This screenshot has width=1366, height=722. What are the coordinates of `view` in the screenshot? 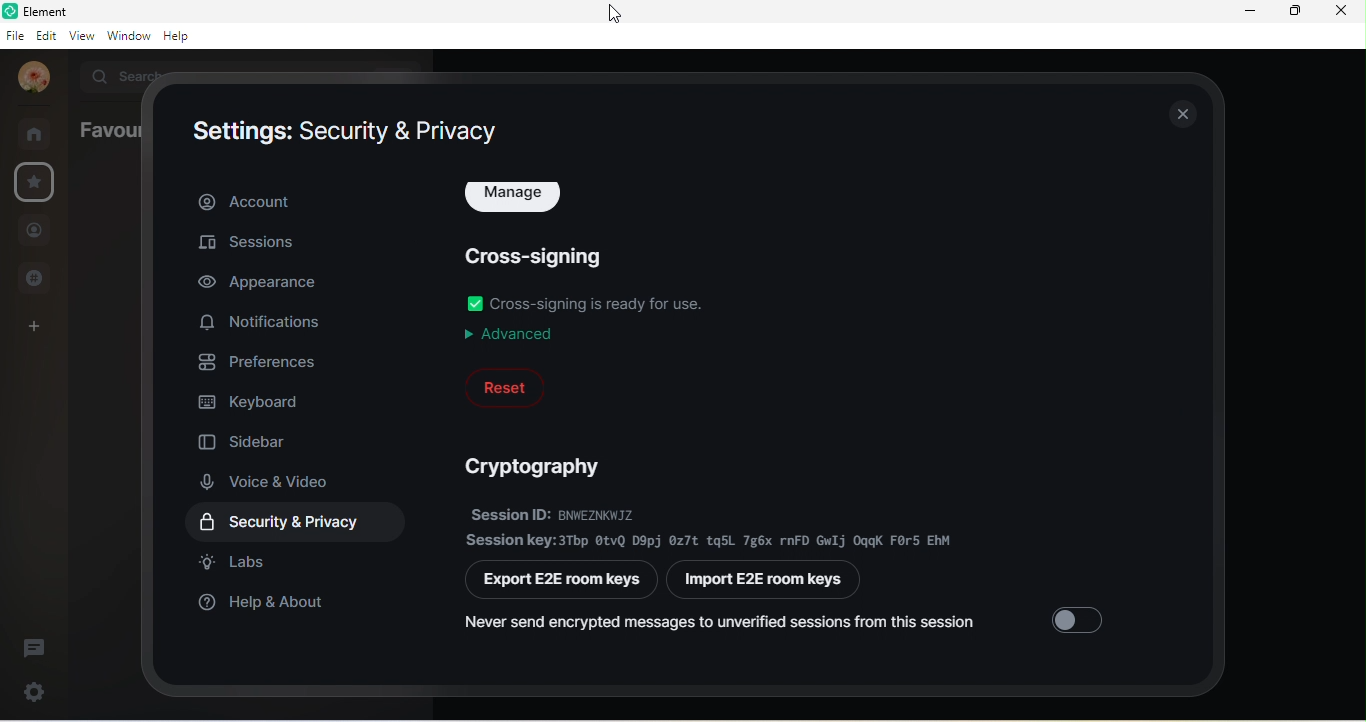 It's located at (85, 37).